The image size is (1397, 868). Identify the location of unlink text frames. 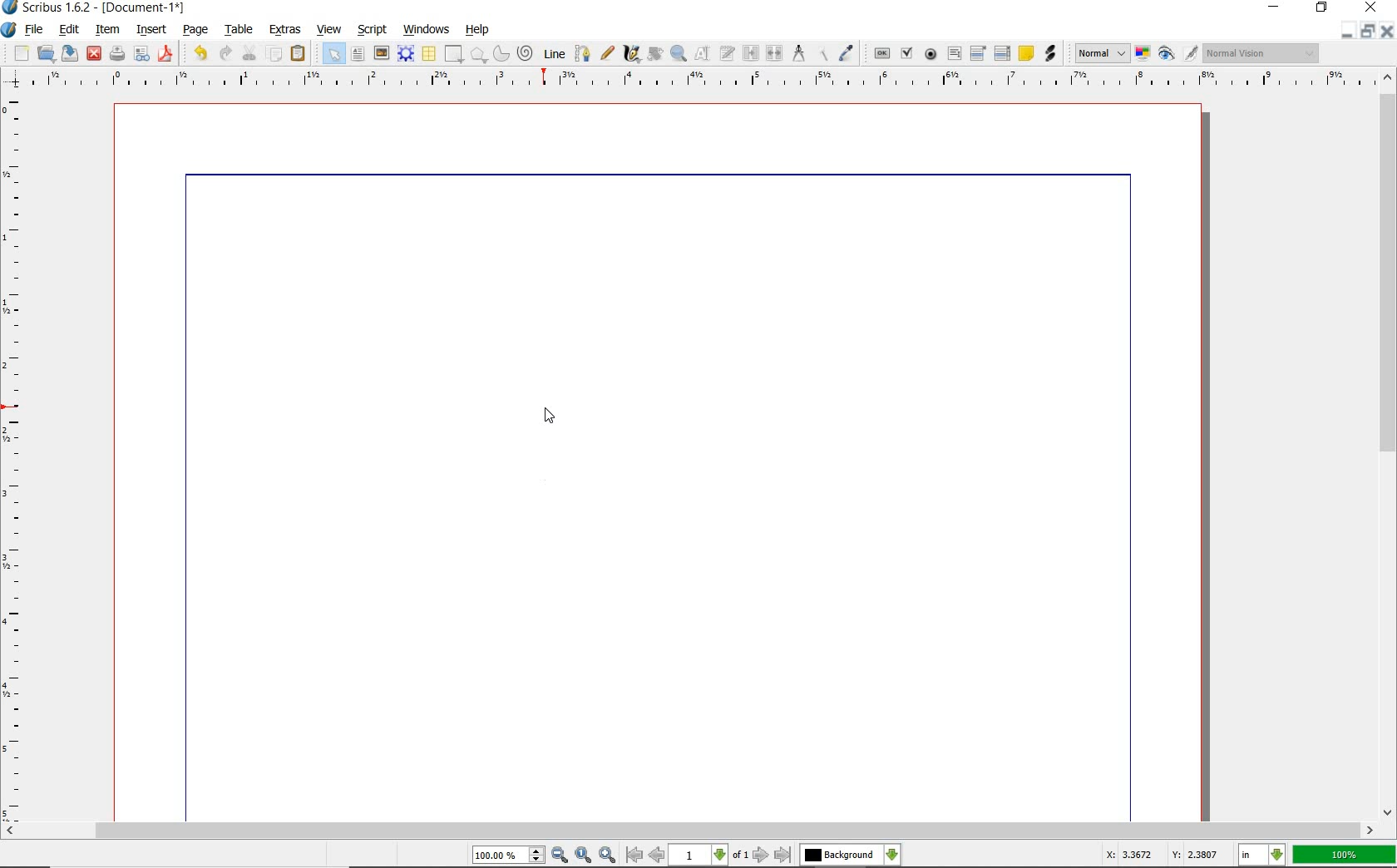
(775, 54).